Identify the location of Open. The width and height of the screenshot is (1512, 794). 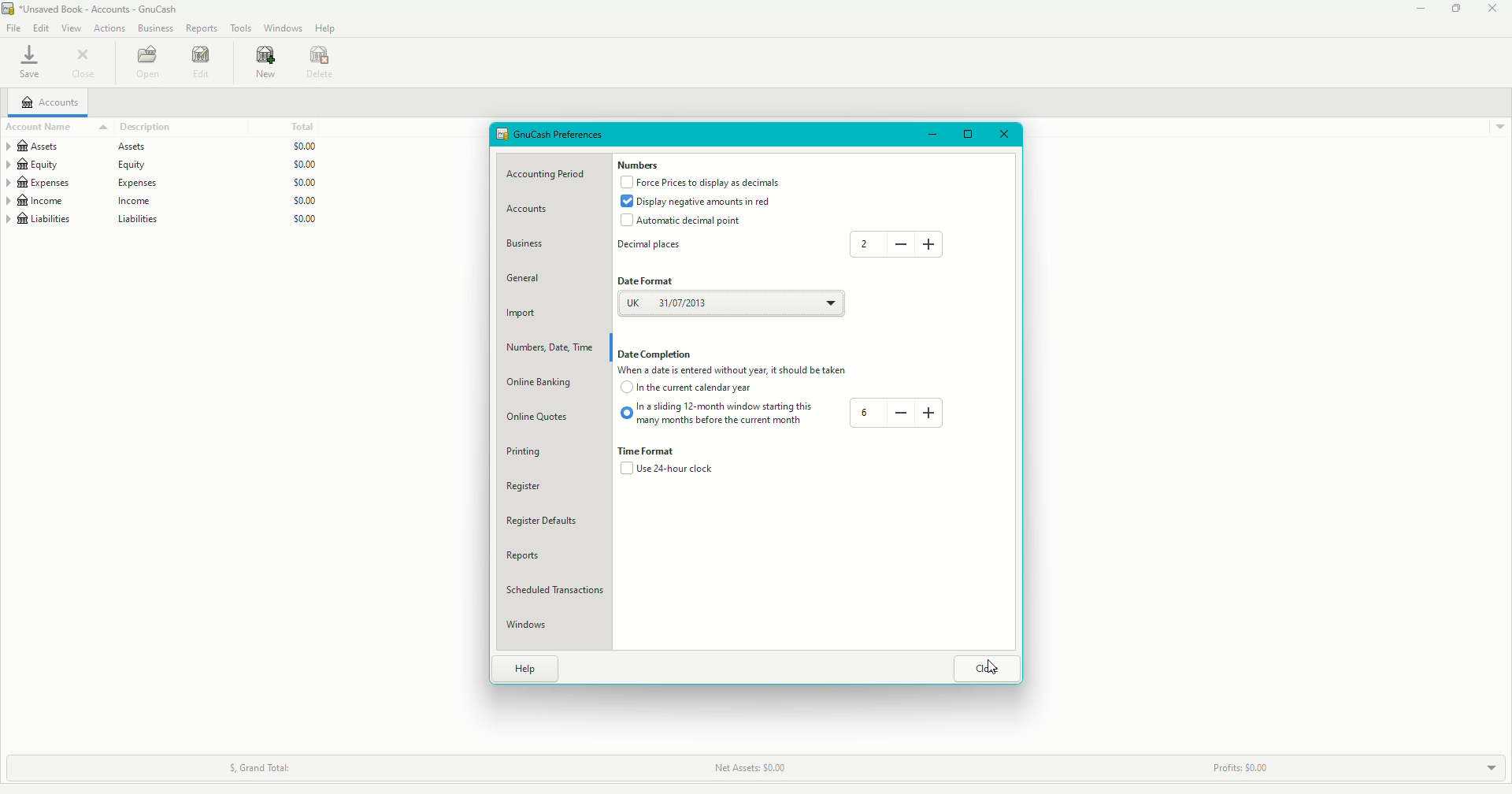
(149, 62).